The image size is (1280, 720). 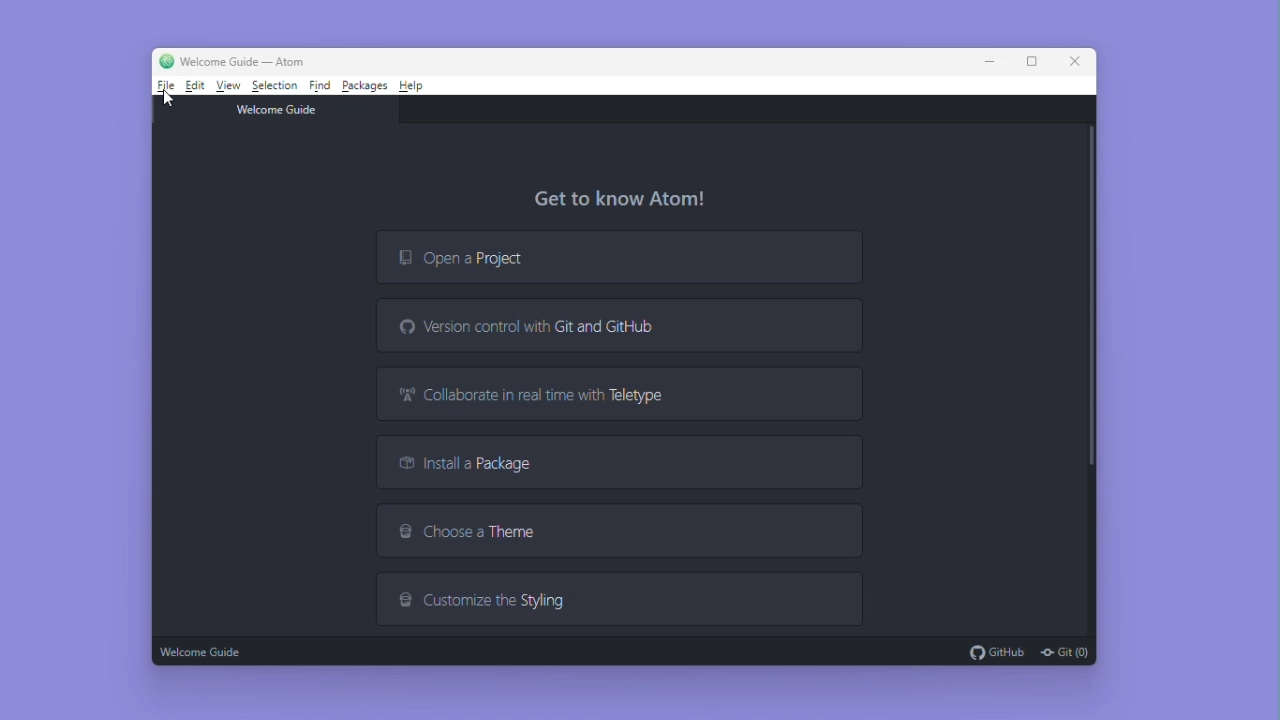 What do you see at coordinates (166, 99) in the screenshot?
I see `cursor` at bounding box center [166, 99].